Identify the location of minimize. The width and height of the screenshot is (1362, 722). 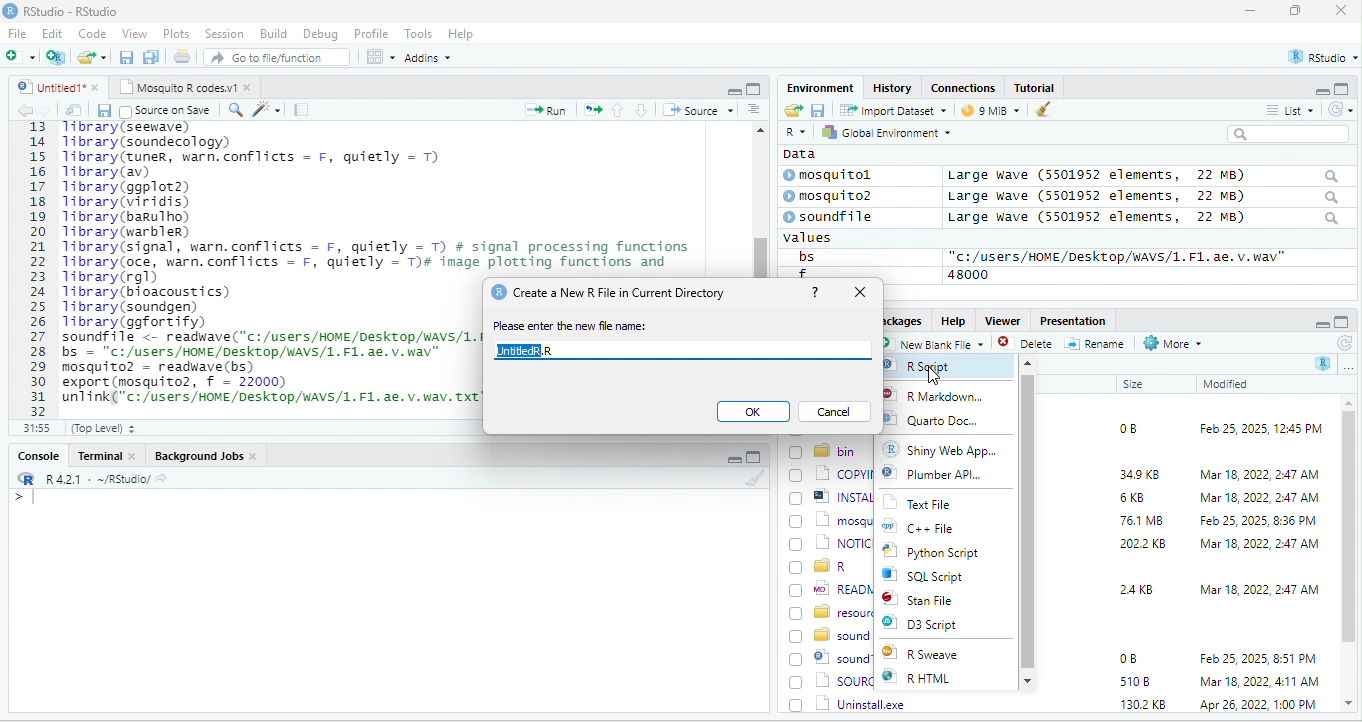
(1250, 12).